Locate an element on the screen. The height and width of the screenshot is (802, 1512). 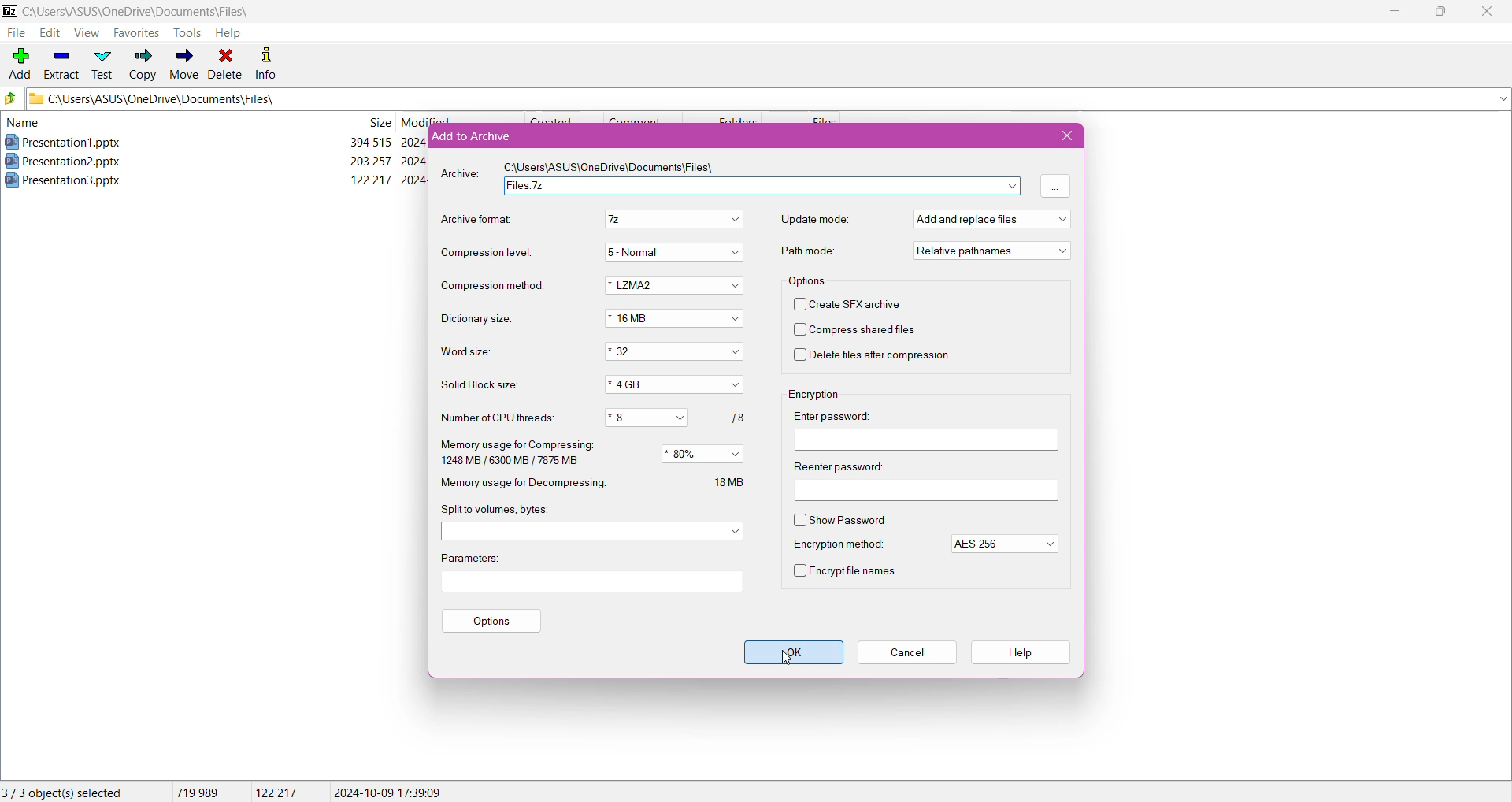
Memory usage for Decompressing is located at coordinates (529, 484).